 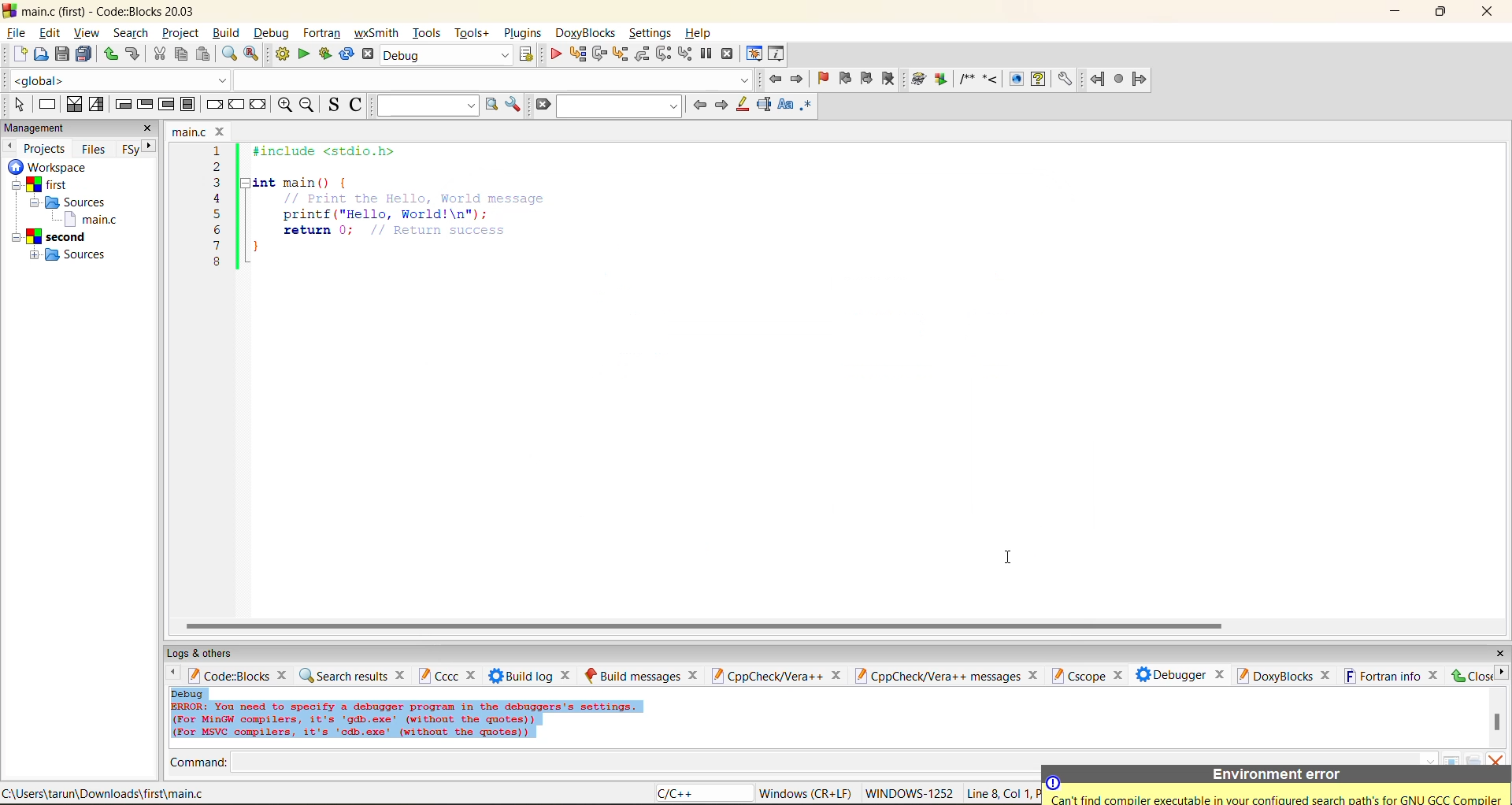 What do you see at coordinates (106, 793) in the screenshot?
I see `file location` at bounding box center [106, 793].